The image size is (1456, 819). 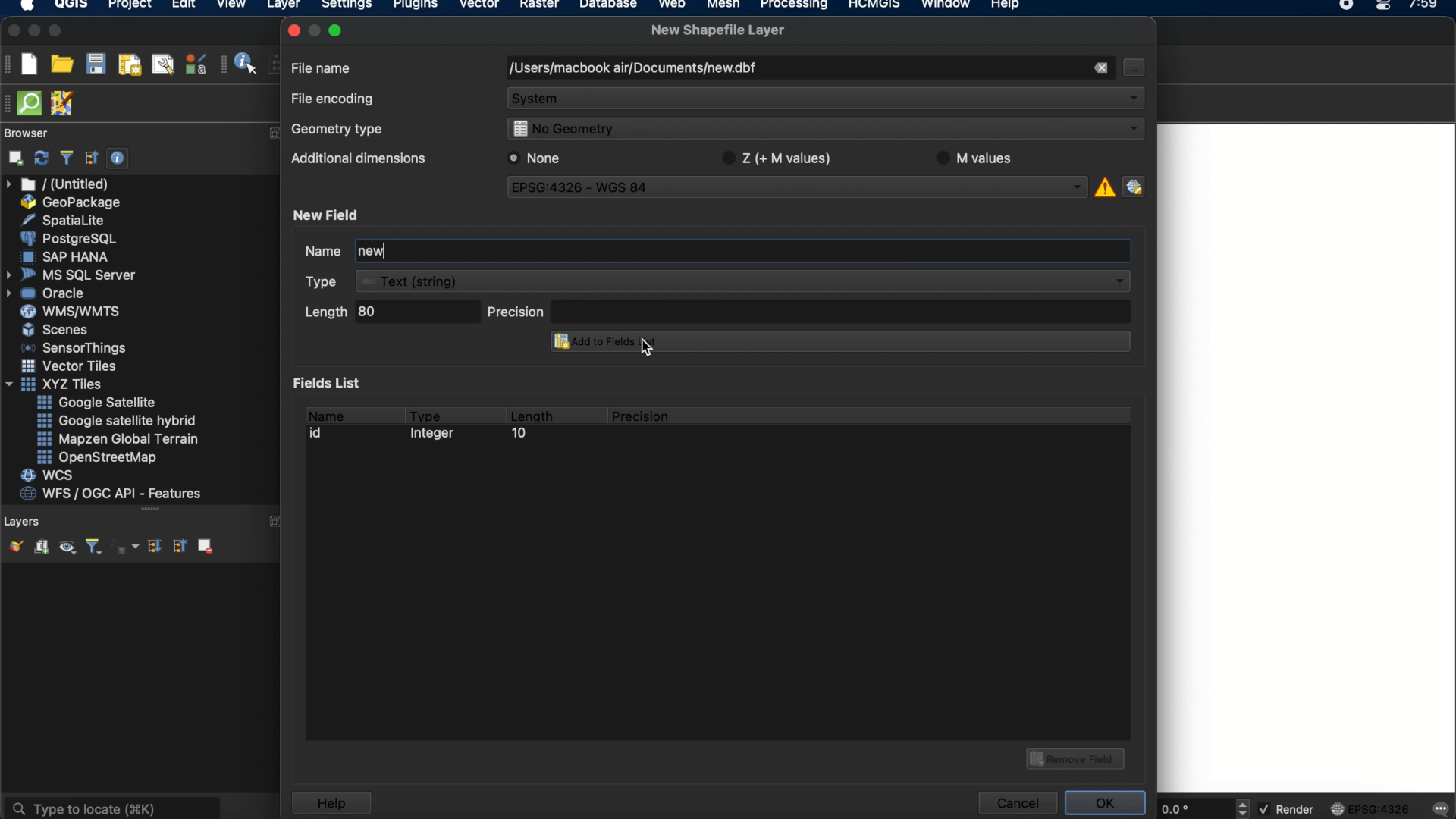 What do you see at coordinates (531, 413) in the screenshot?
I see `length` at bounding box center [531, 413].